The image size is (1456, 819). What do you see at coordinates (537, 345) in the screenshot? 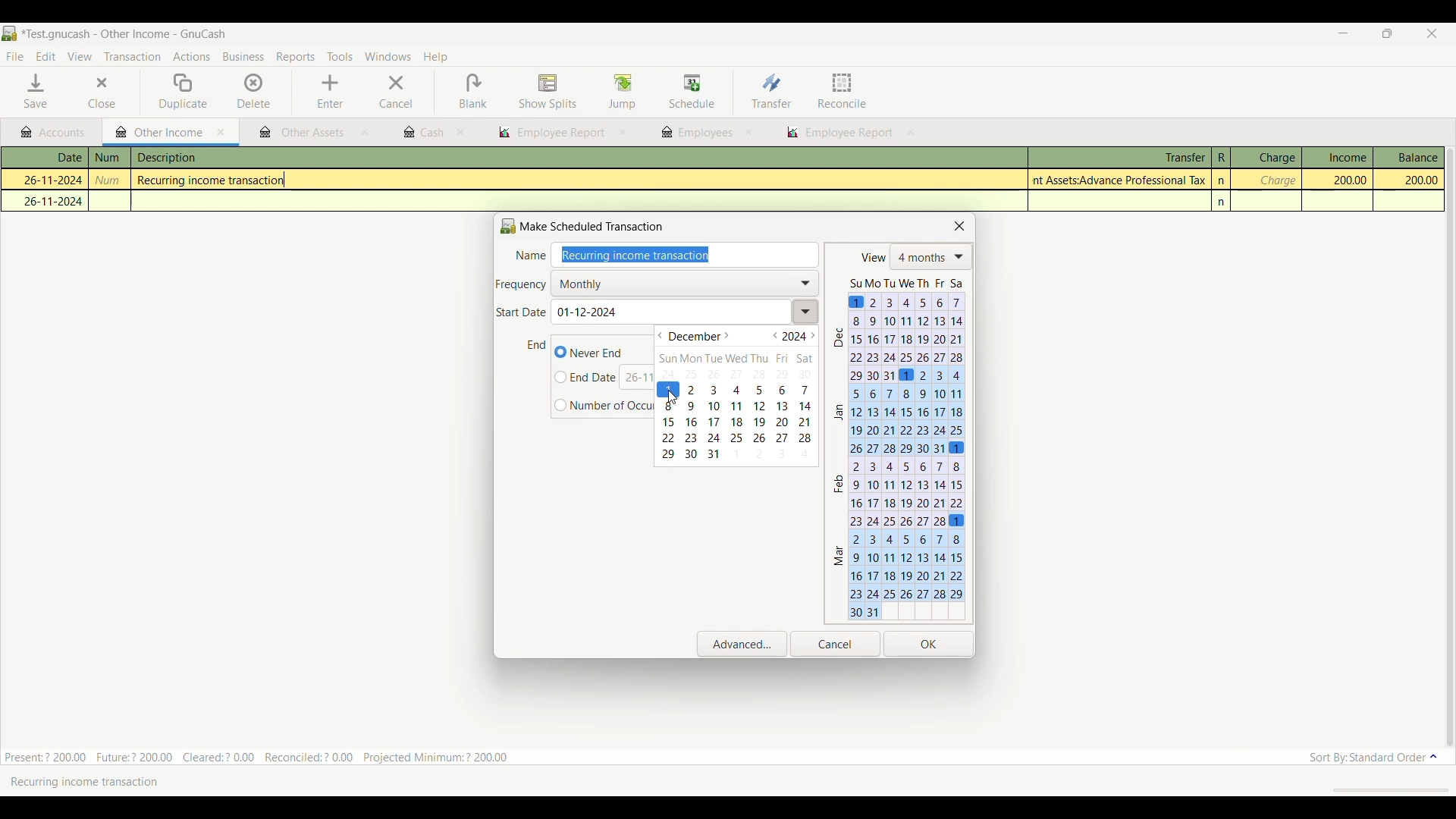
I see `Indicates end date of transaction` at bounding box center [537, 345].